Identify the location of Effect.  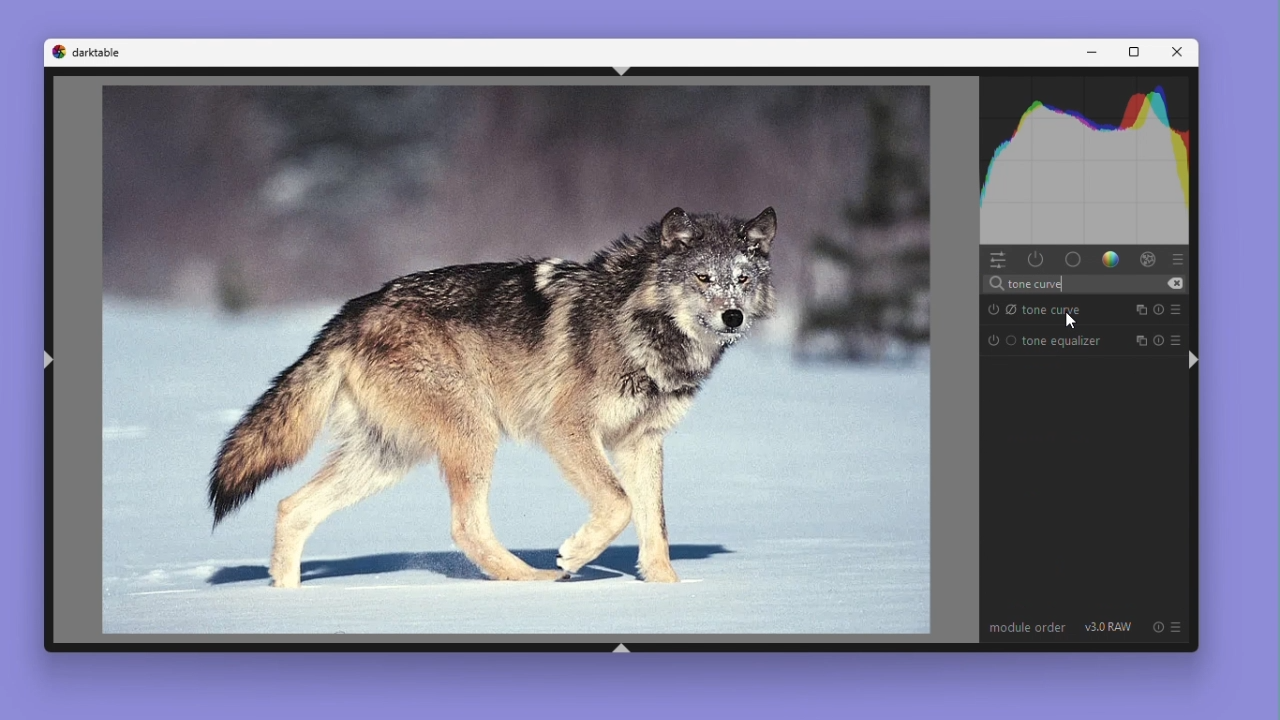
(1145, 260).